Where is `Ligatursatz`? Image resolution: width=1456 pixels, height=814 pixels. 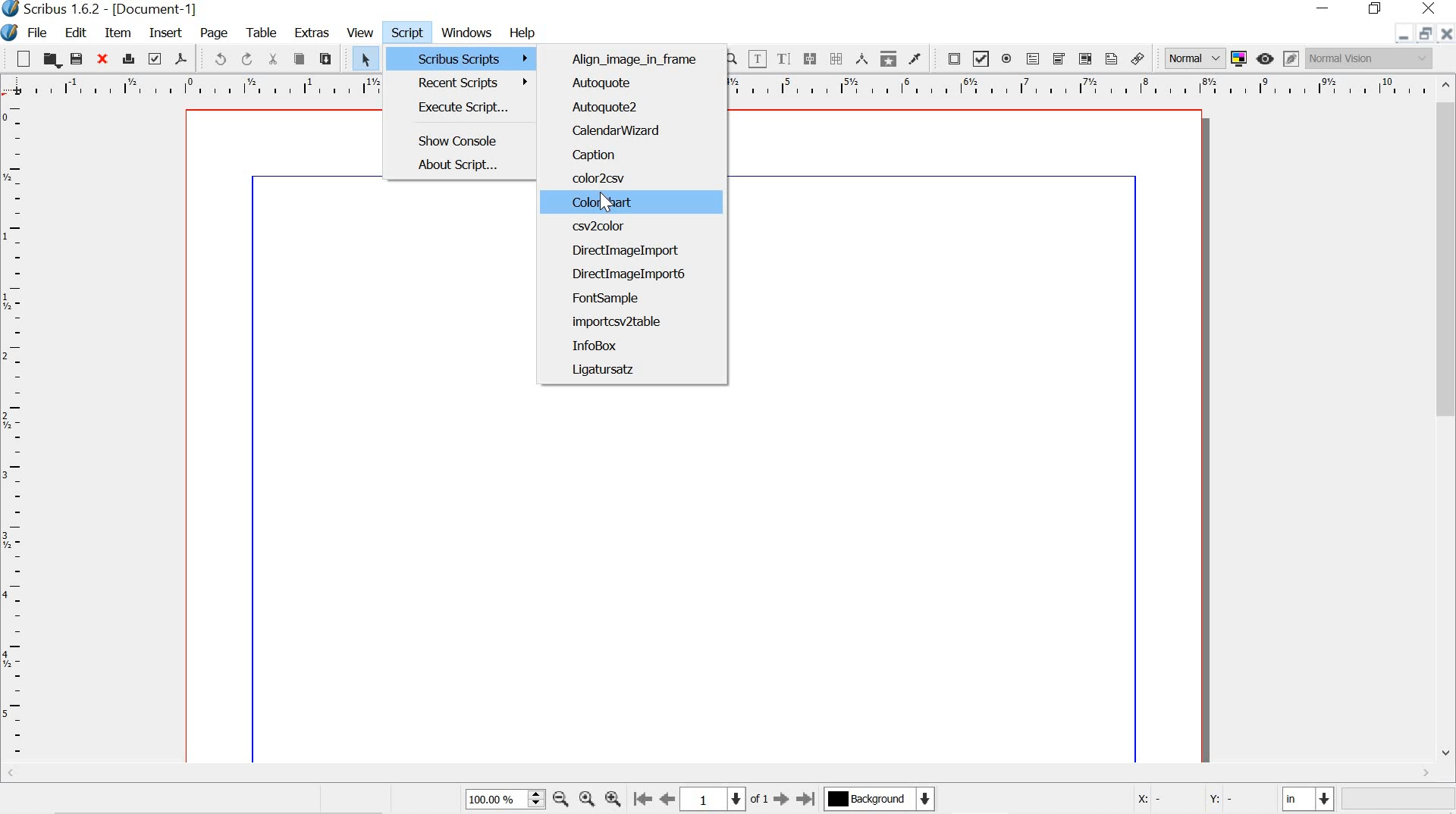 Ligatursatz is located at coordinates (604, 371).